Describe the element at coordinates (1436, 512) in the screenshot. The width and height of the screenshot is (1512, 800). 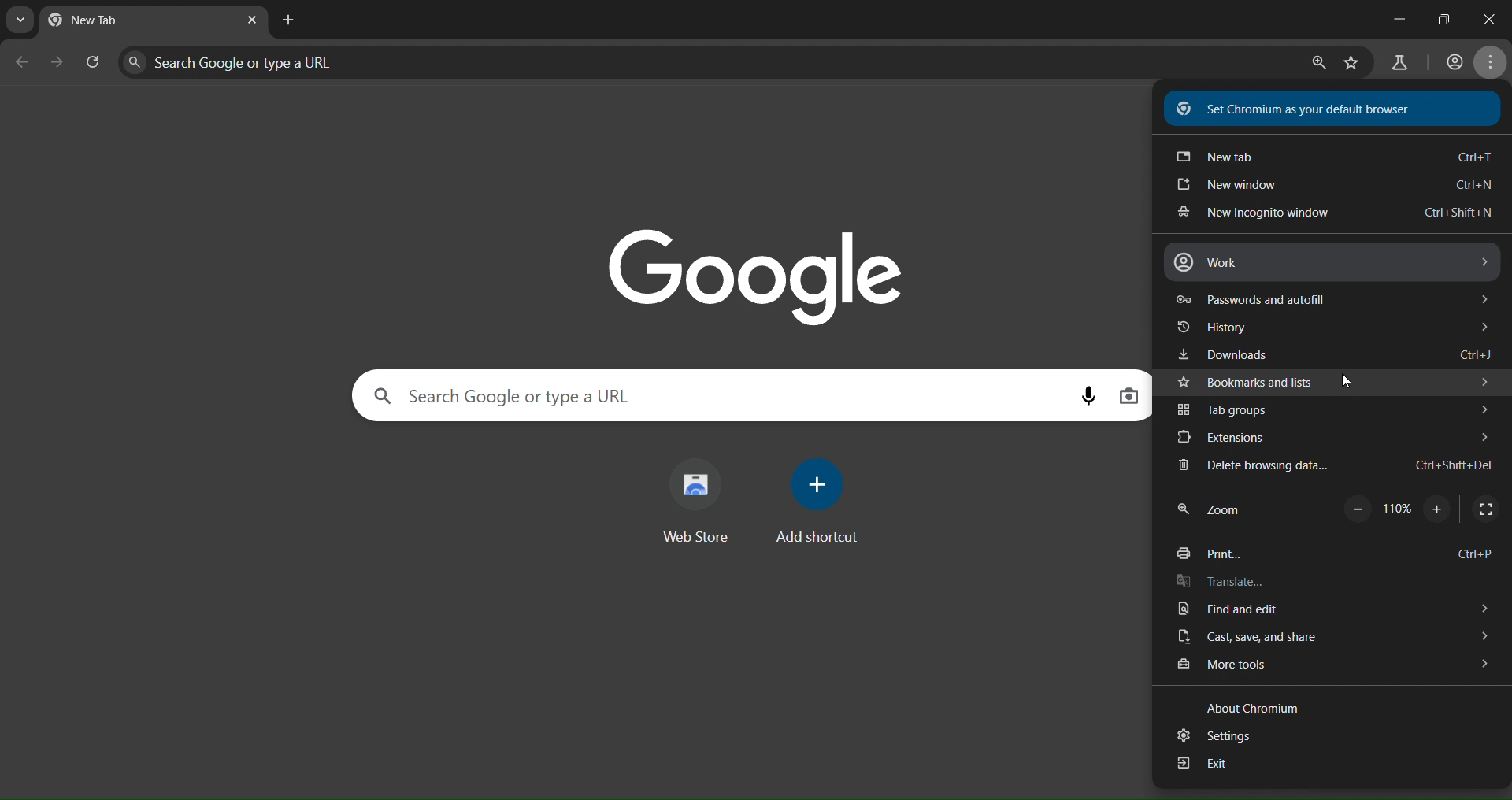
I see `zoom in` at that location.